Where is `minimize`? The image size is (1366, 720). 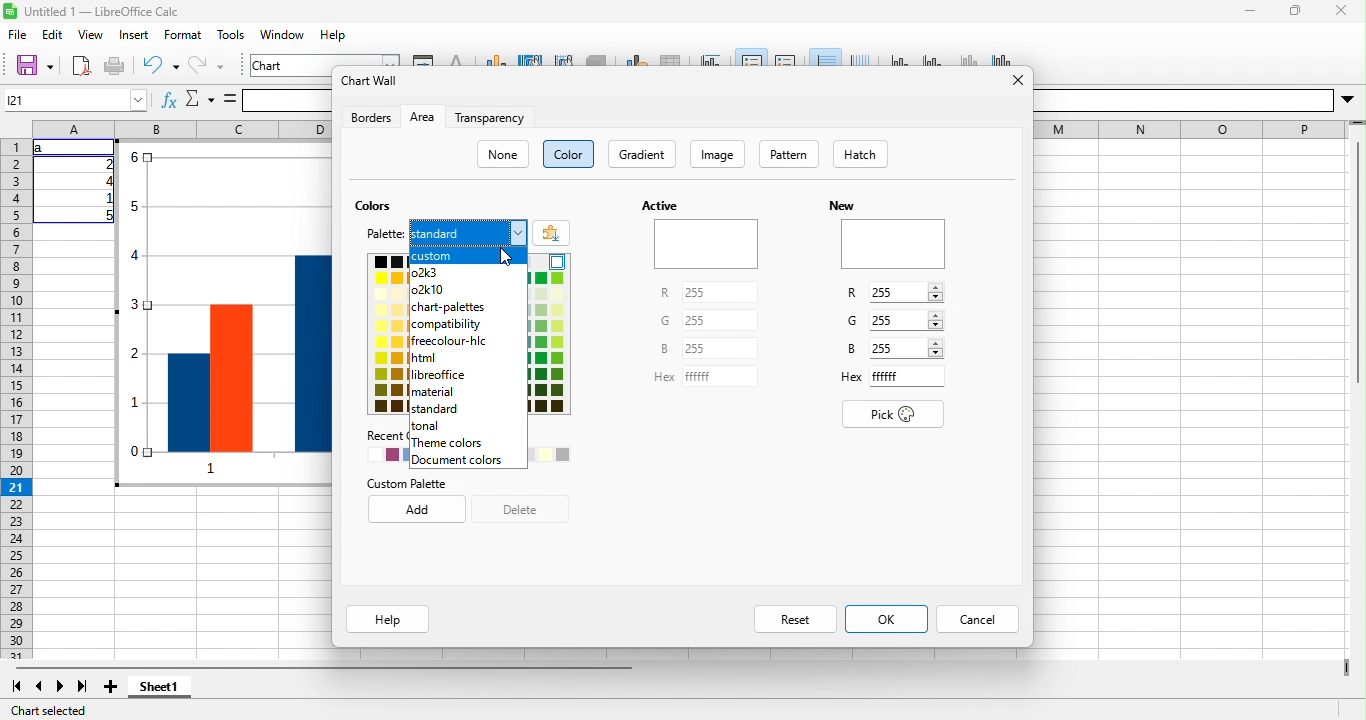 minimize is located at coordinates (1250, 11).